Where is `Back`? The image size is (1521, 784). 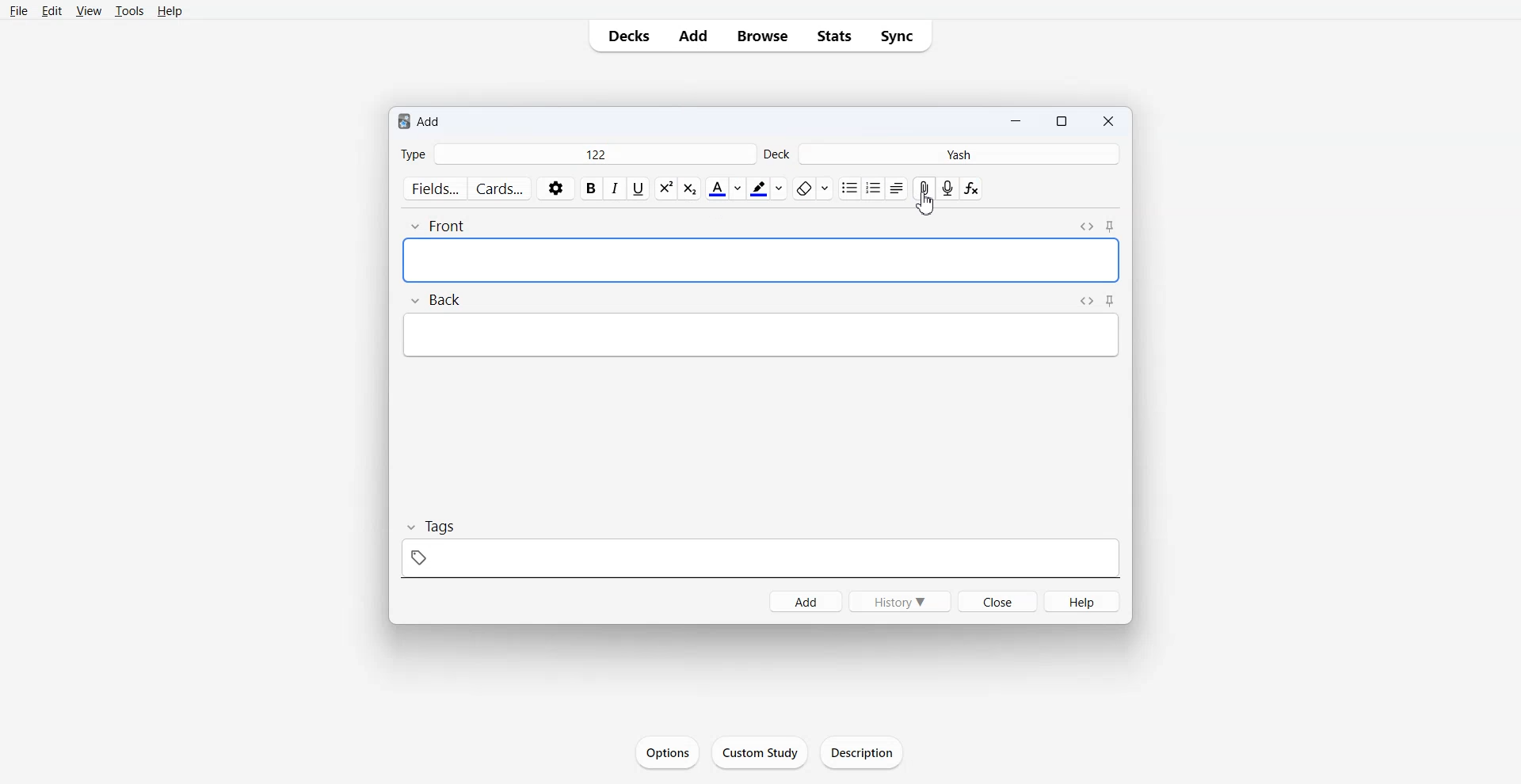 Back is located at coordinates (434, 299).